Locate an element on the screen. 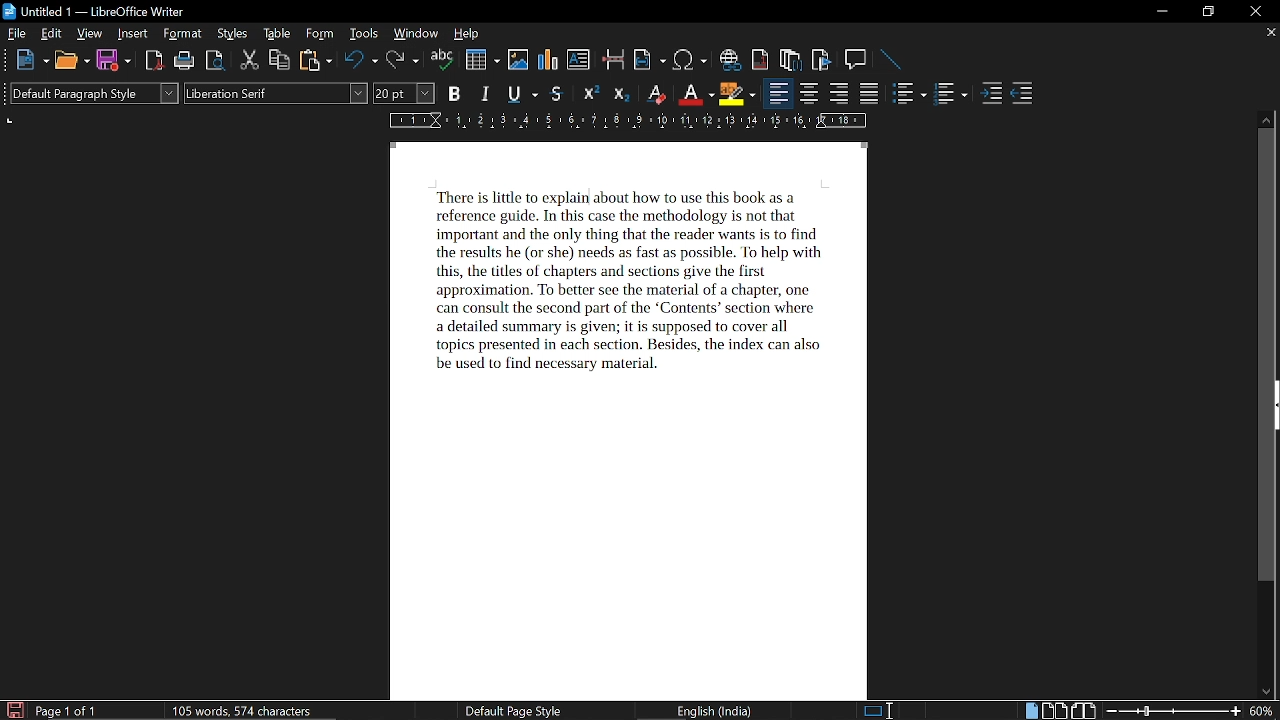 This screenshot has width=1280, height=720. line is located at coordinates (890, 59).